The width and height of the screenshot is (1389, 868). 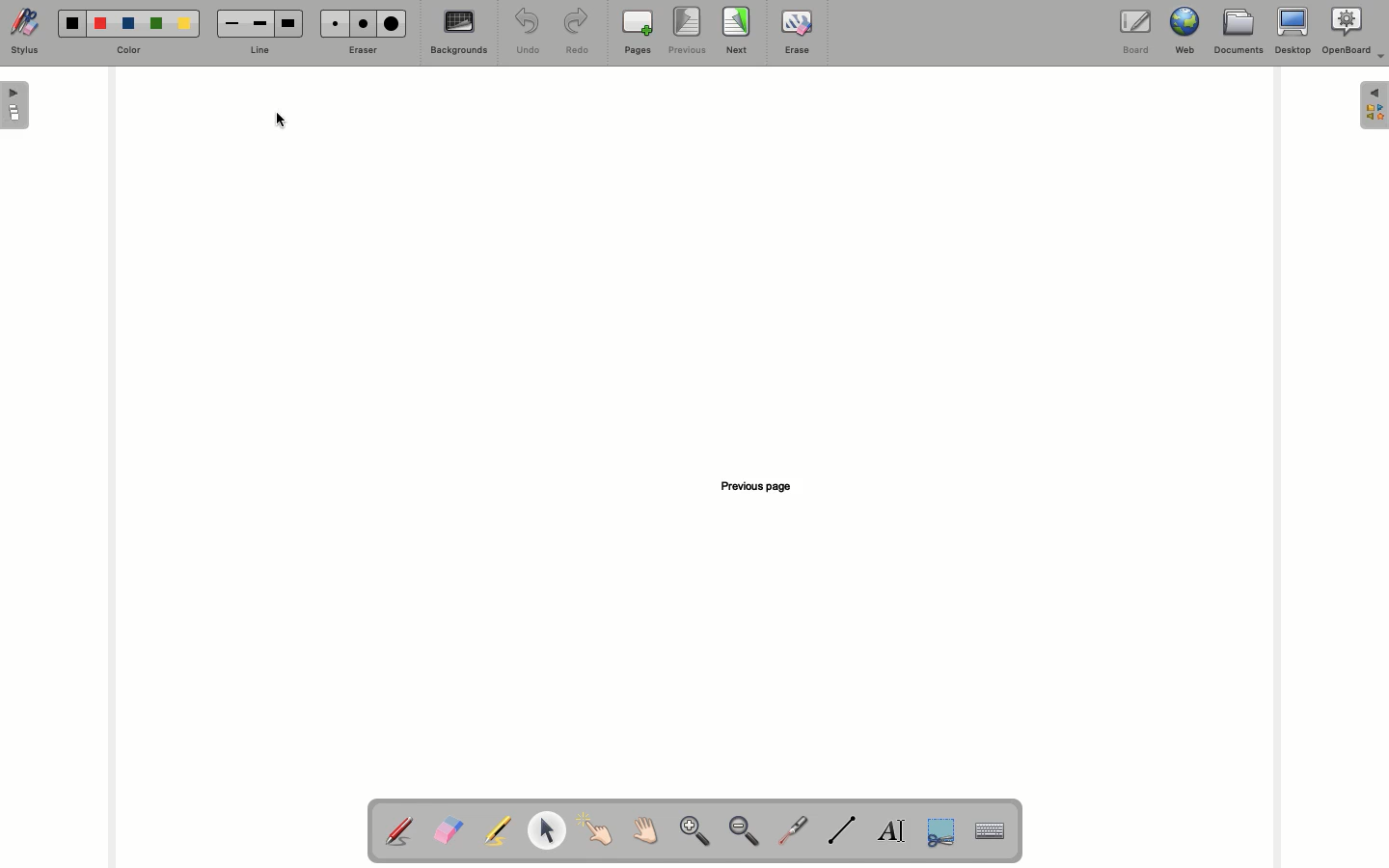 What do you see at coordinates (594, 829) in the screenshot?
I see `Interact with items` at bounding box center [594, 829].